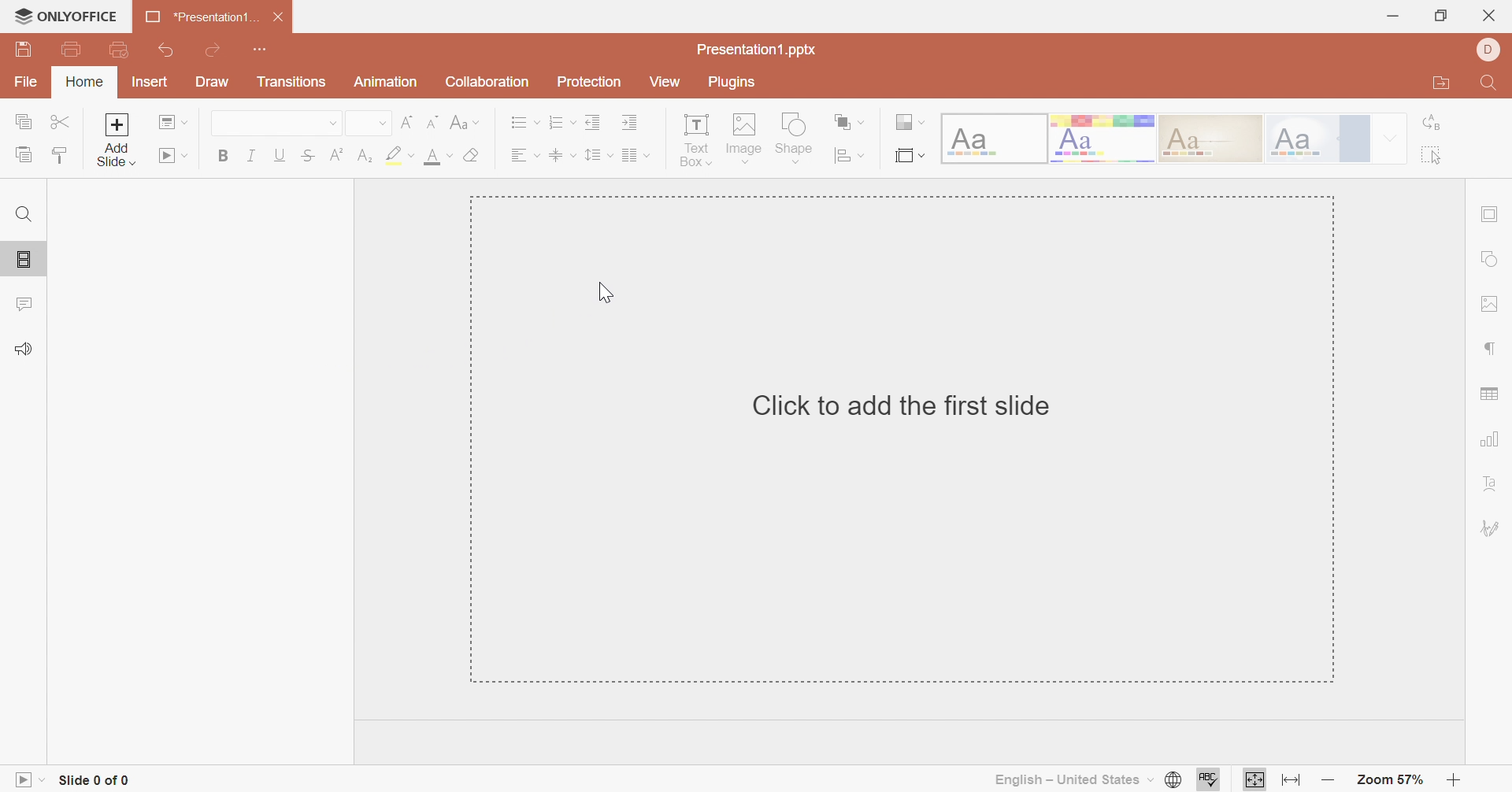  What do you see at coordinates (694, 139) in the screenshot?
I see `Text Box` at bounding box center [694, 139].